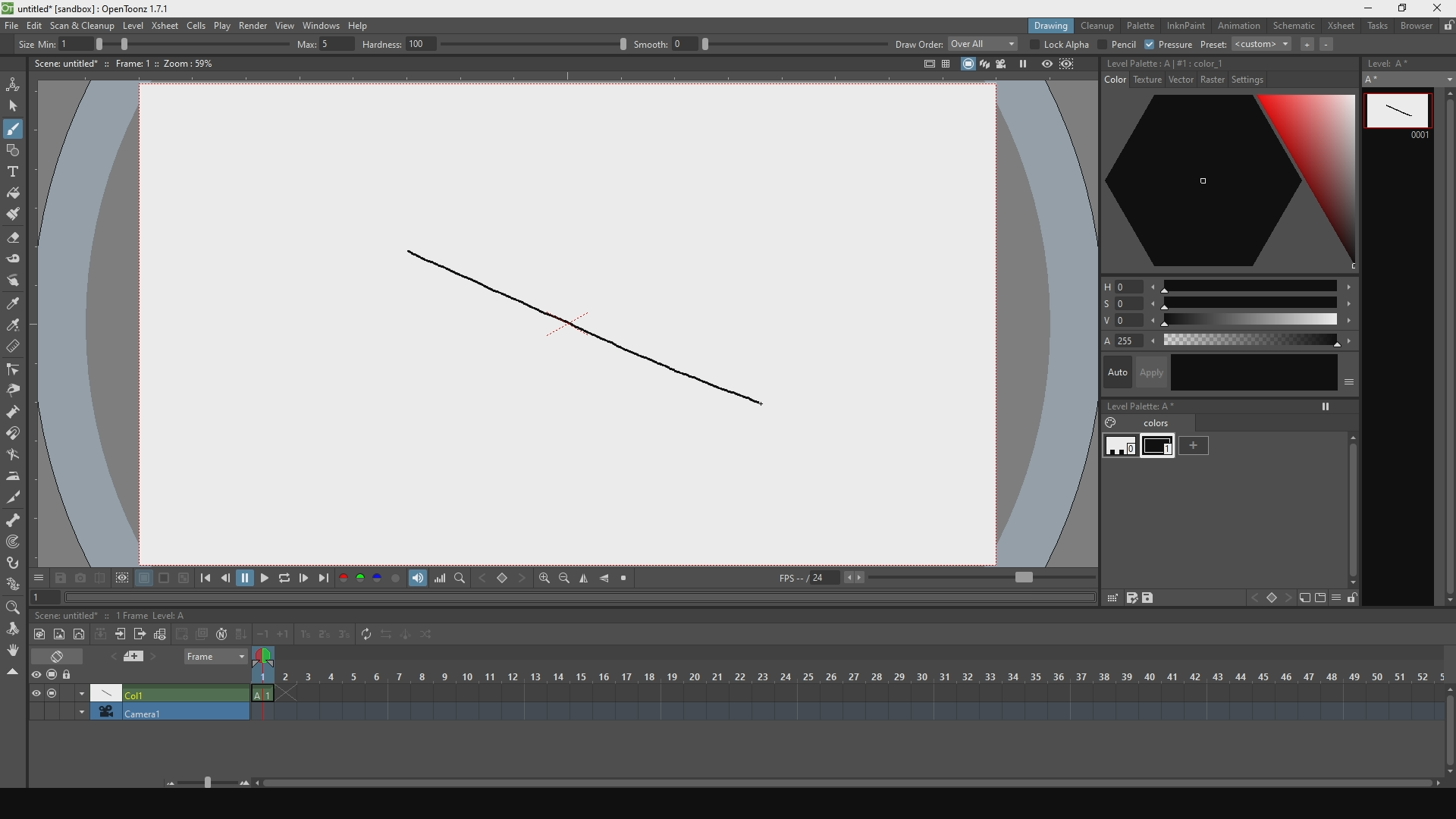 The width and height of the screenshot is (1456, 819). I want to click on layers, so click(983, 65).